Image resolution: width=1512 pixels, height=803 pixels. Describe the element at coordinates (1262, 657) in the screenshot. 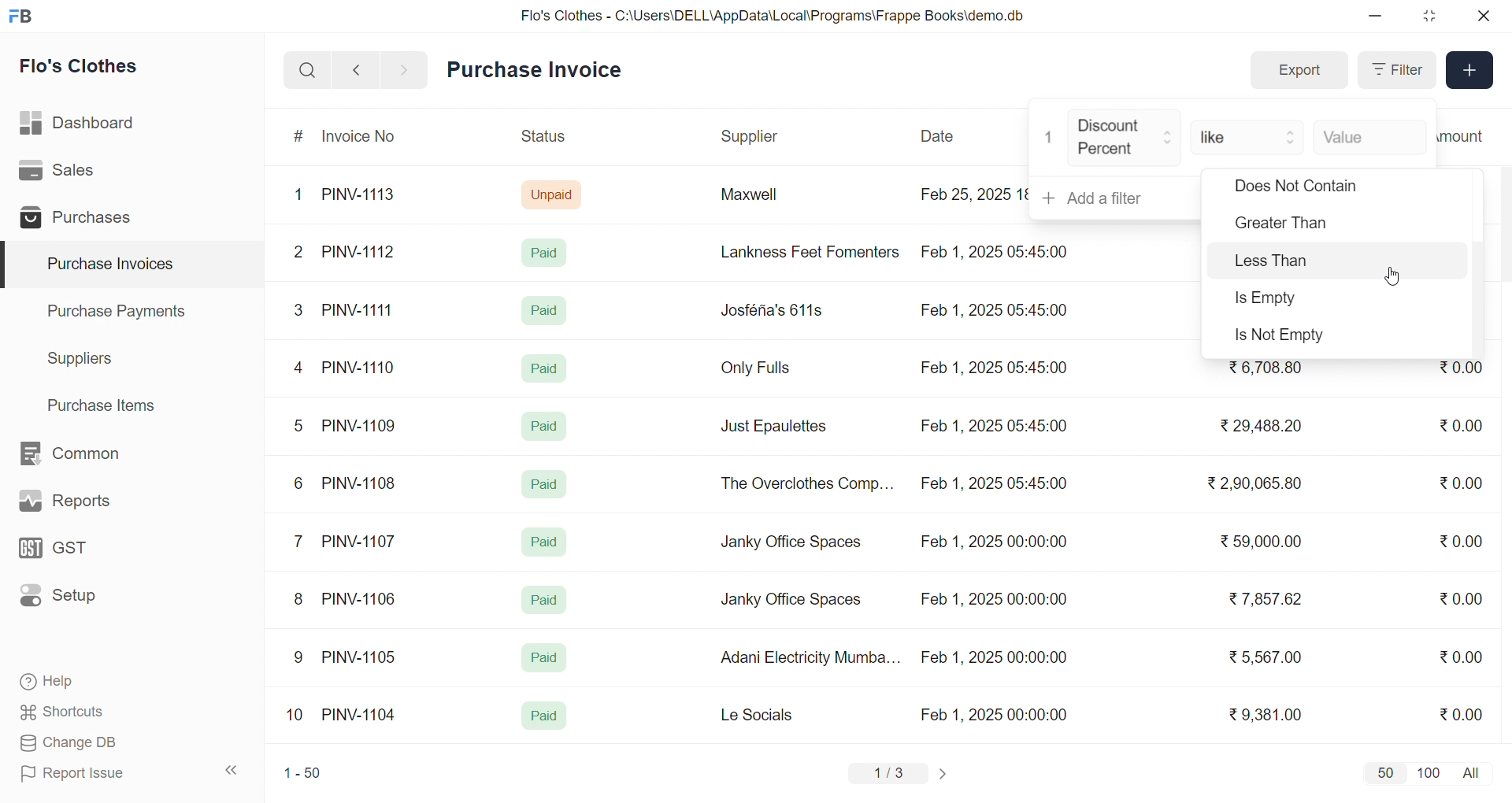

I see `₹ 5,567.00` at that location.